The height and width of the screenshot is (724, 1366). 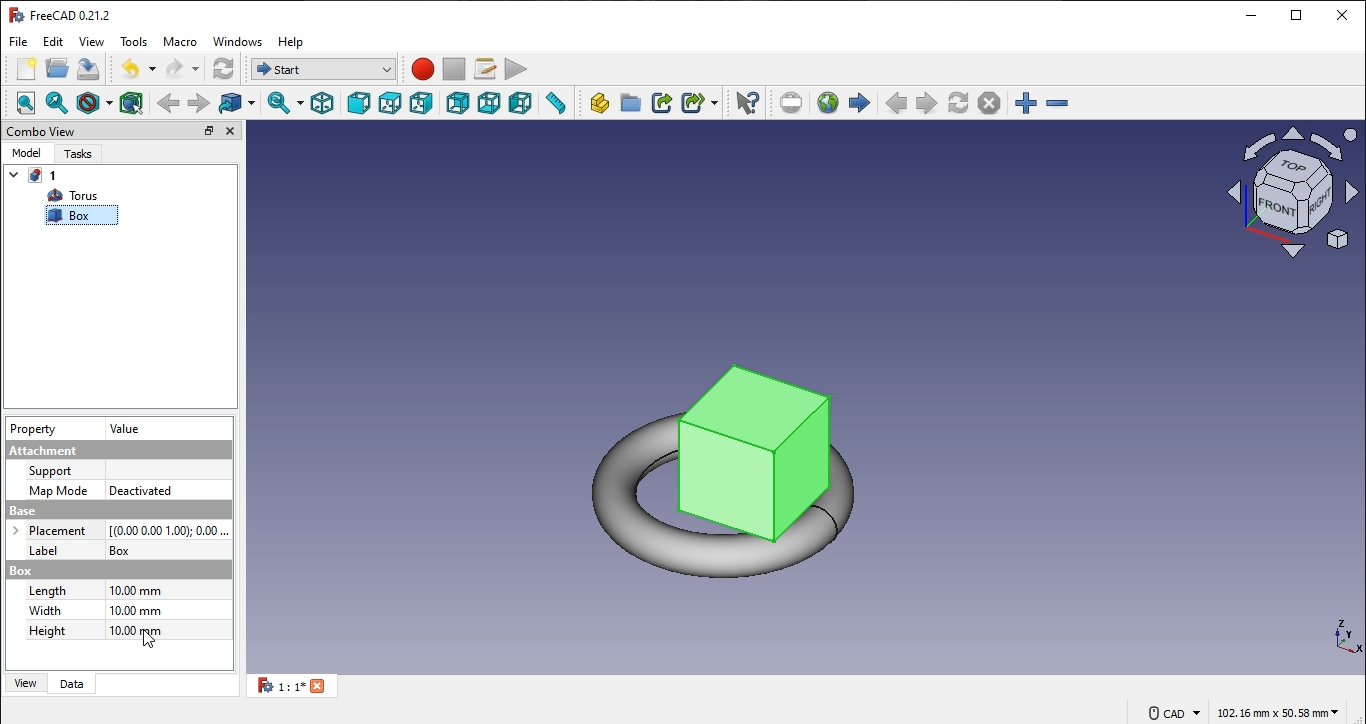 What do you see at coordinates (320, 67) in the screenshot?
I see `workbench` at bounding box center [320, 67].